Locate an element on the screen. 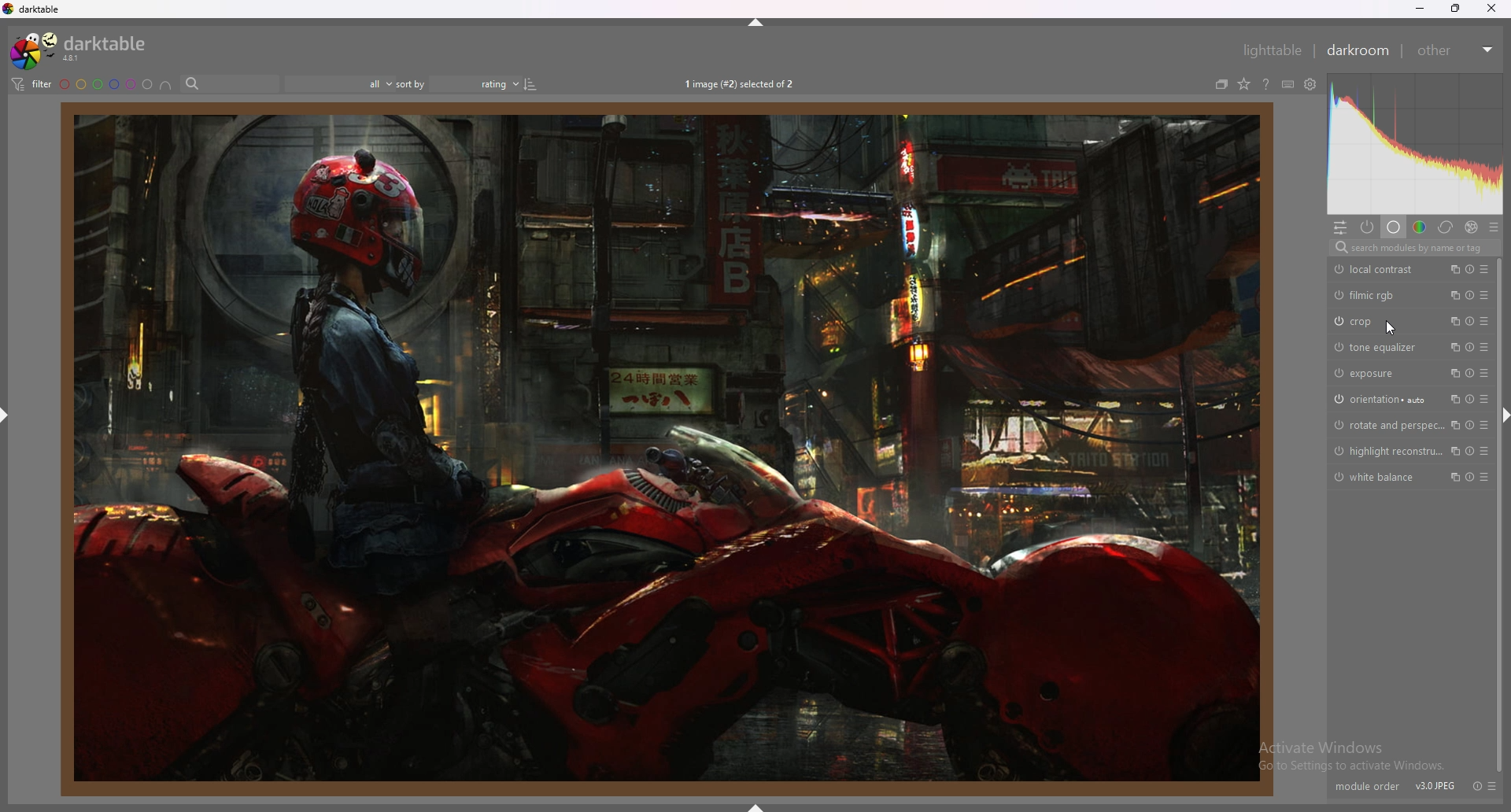  multiple instances action is located at coordinates (1451, 399).